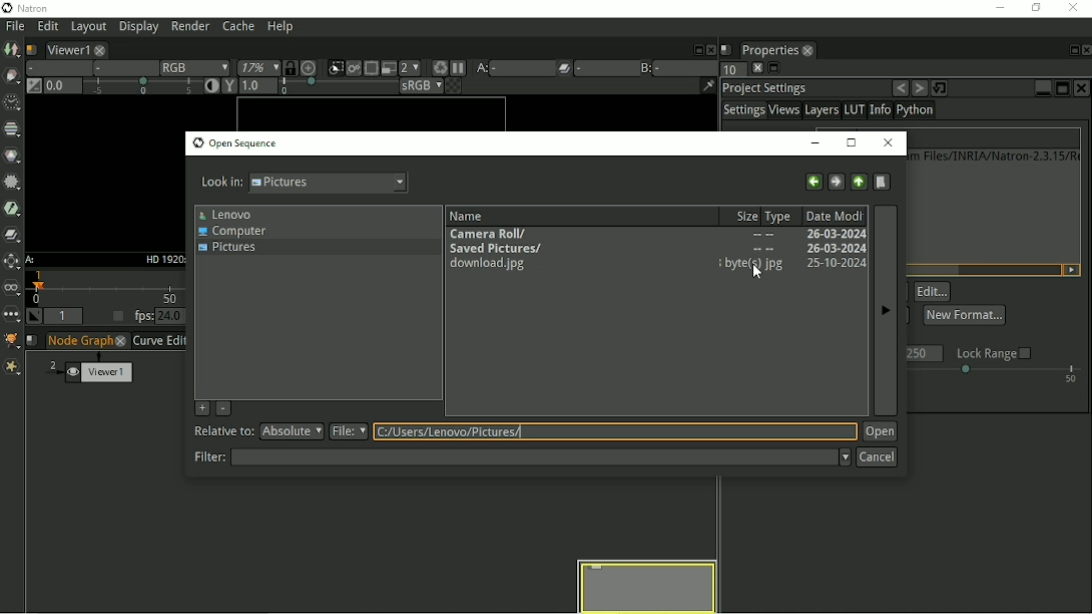  What do you see at coordinates (762, 250) in the screenshot?
I see `--` at bounding box center [762, 250].